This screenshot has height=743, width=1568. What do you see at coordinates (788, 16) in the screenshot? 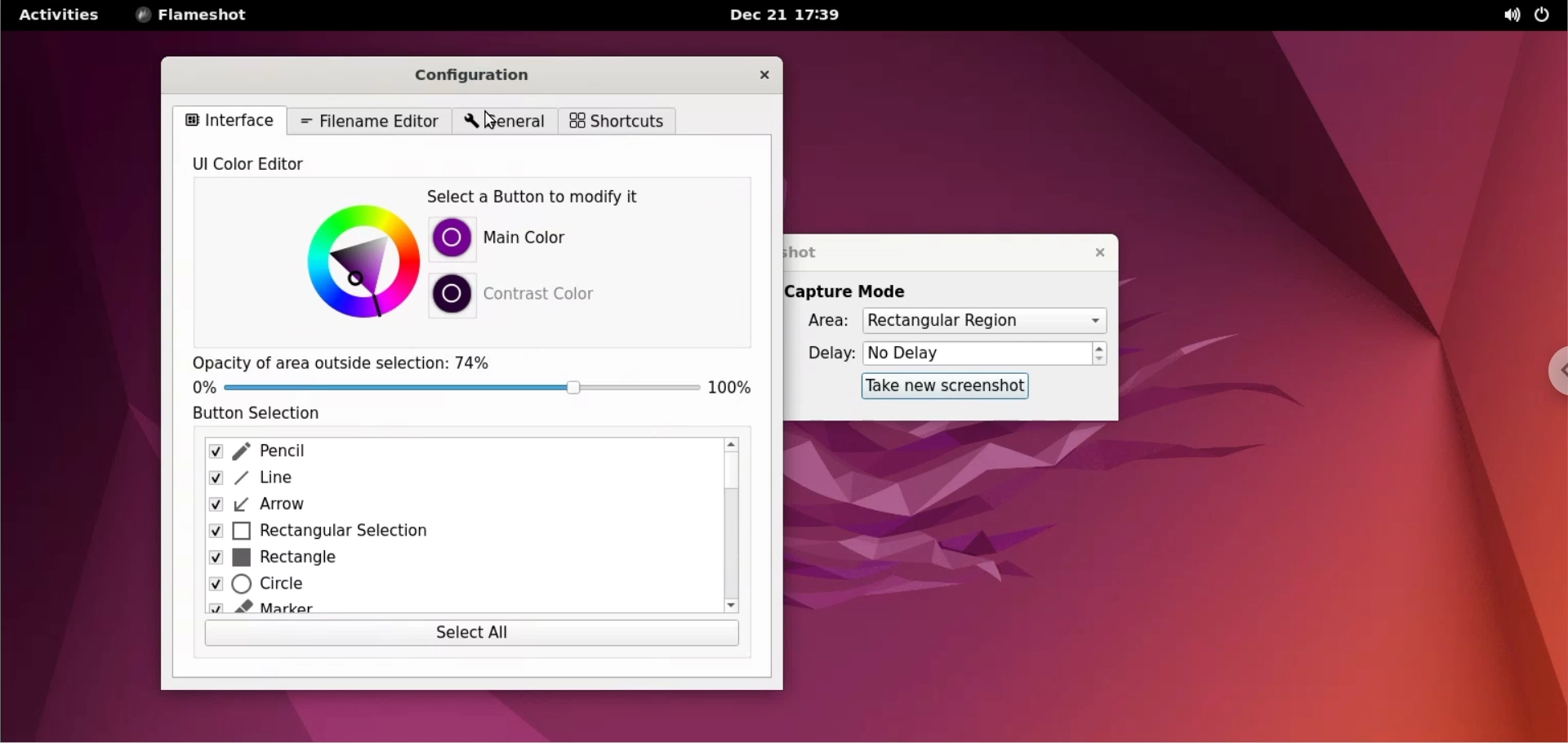
I see `Dec  21 17:39` at bounding box center [788, 16].